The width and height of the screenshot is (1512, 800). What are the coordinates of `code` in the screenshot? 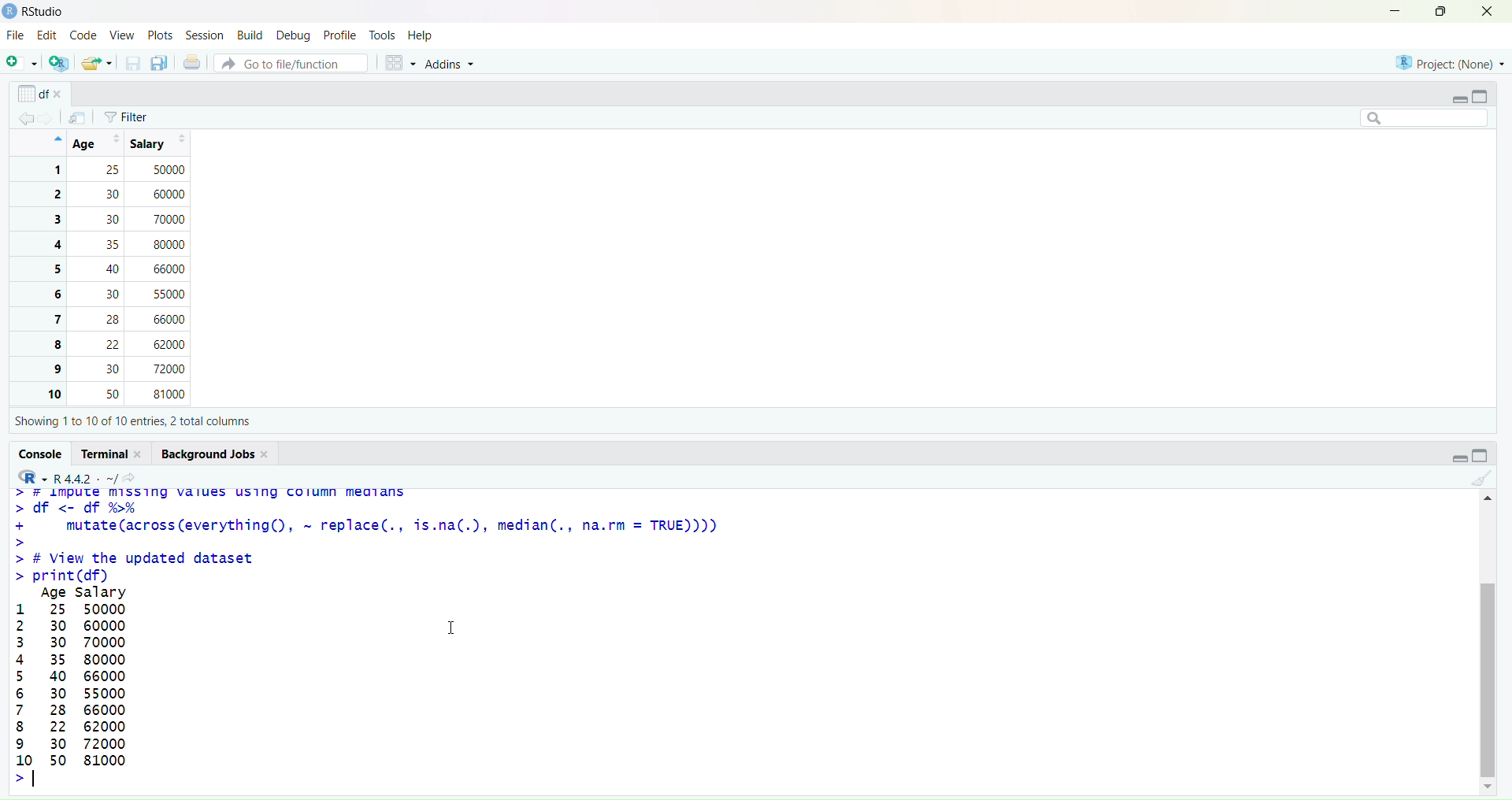 It's located at (83, 35).